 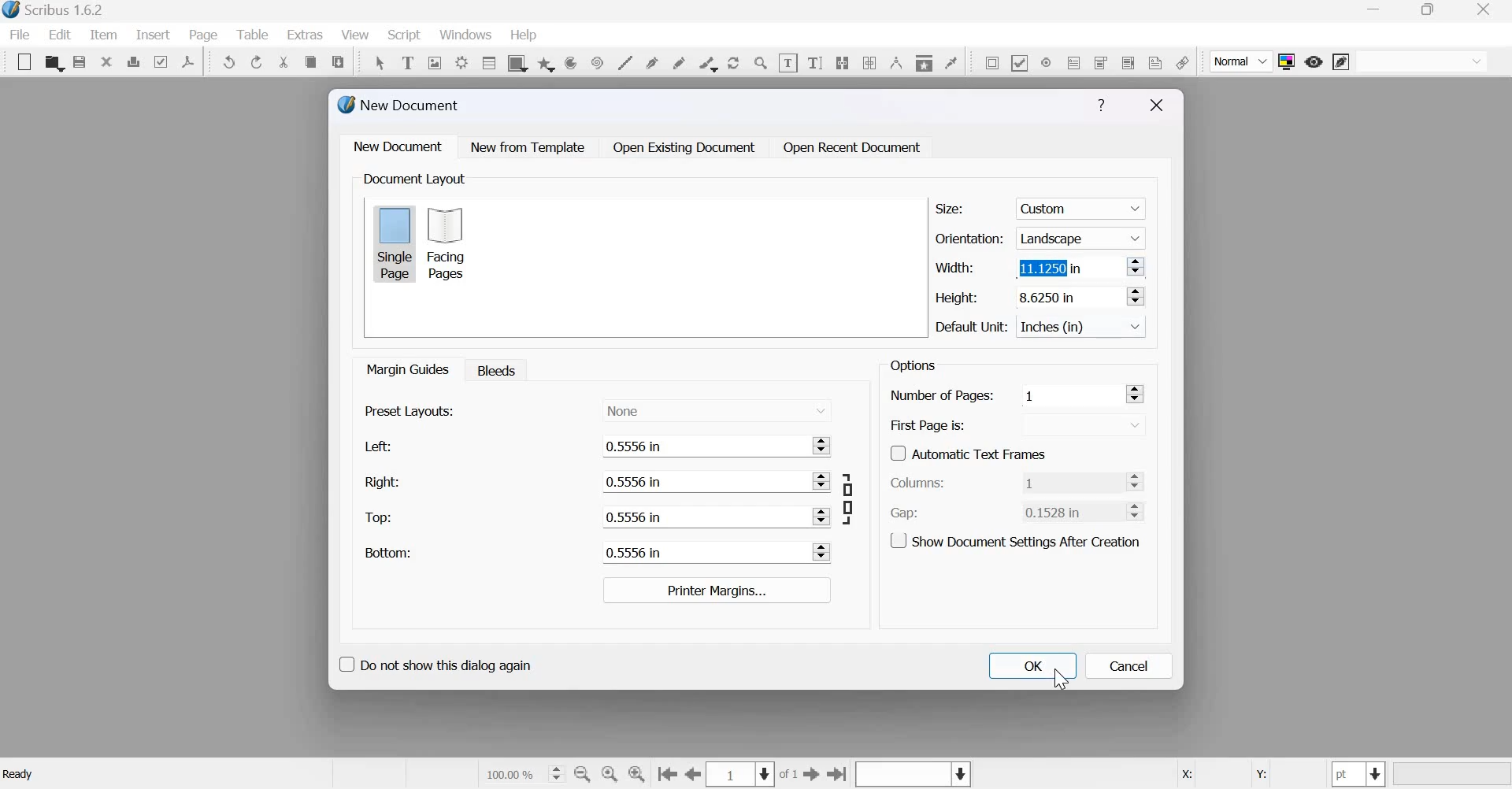 What do you see at coordinates (823, 481) in the screenshot?
I see `Increase and Decrease` at bounding box center [823, 481].